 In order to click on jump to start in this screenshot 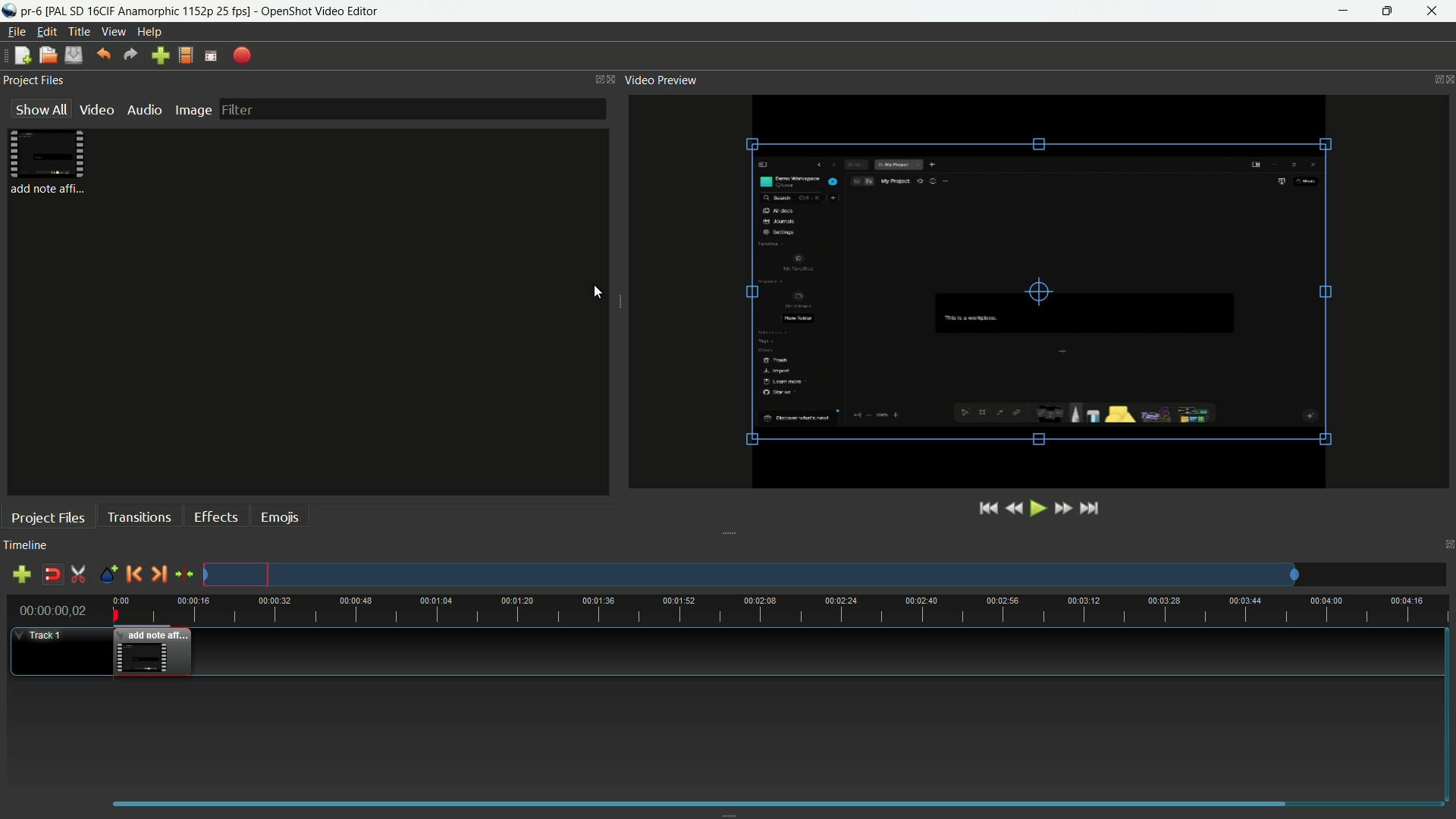, I will do `click(989, 509)`.